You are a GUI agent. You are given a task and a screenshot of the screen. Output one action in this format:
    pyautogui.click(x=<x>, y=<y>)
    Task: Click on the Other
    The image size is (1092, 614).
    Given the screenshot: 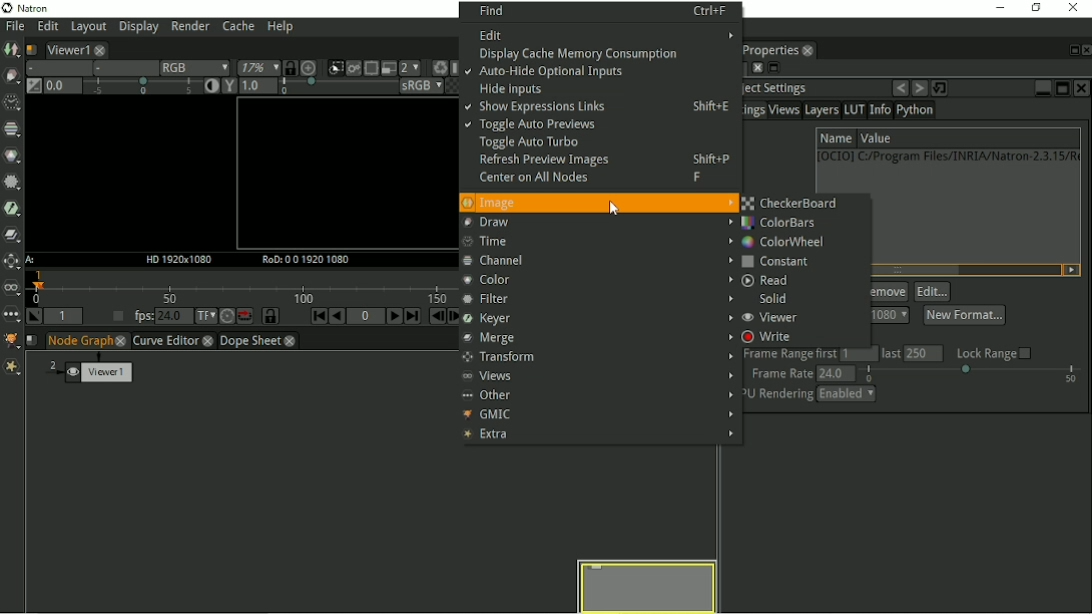 What is the action you would take?
    pyautogui.click(x=598, y=394)
    